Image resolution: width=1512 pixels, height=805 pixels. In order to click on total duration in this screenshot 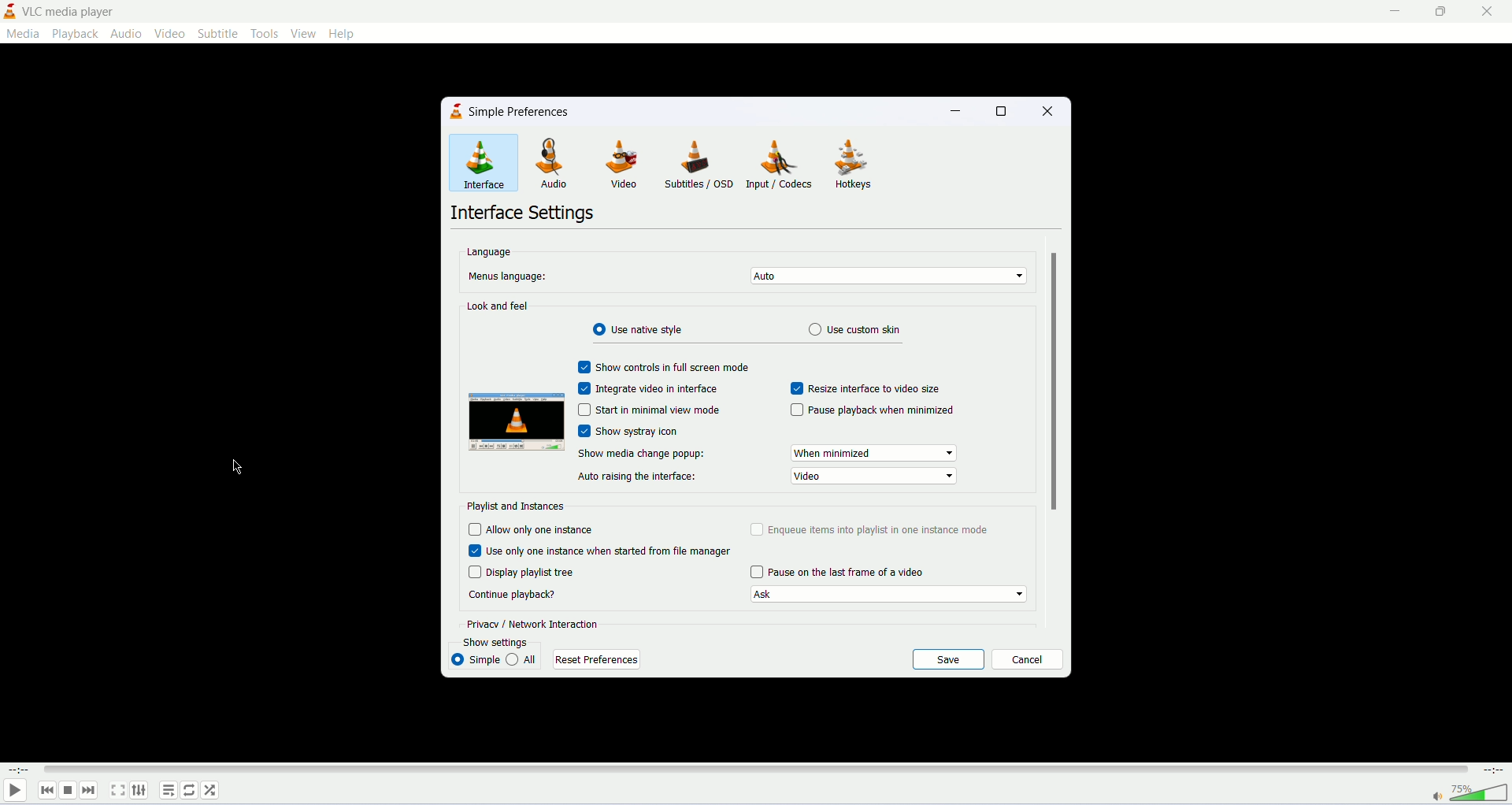, I will do `click(1494, 772)`.